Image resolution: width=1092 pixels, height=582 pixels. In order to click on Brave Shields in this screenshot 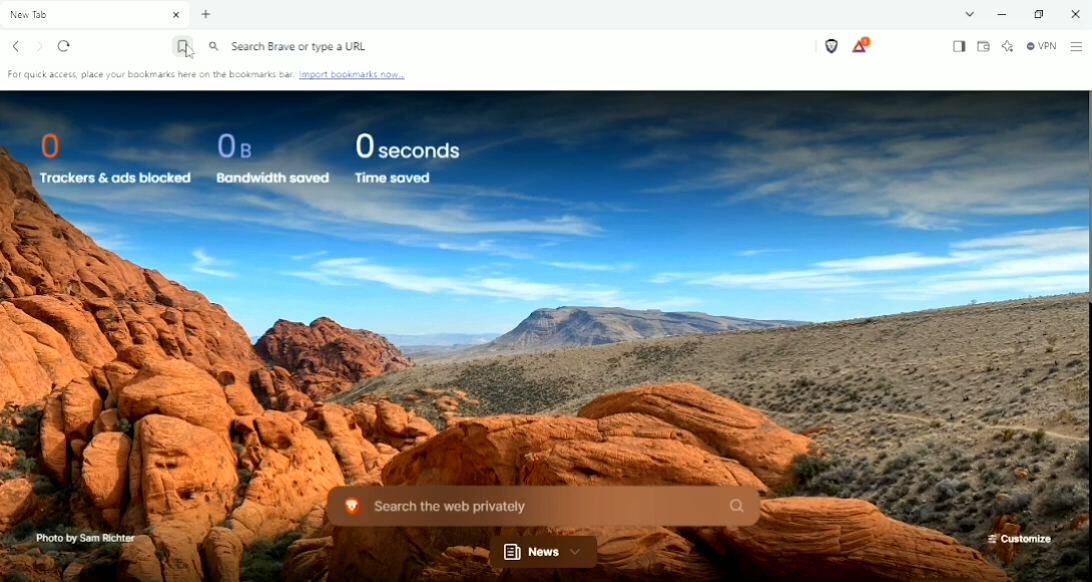, I will do `click(831, 46)`.